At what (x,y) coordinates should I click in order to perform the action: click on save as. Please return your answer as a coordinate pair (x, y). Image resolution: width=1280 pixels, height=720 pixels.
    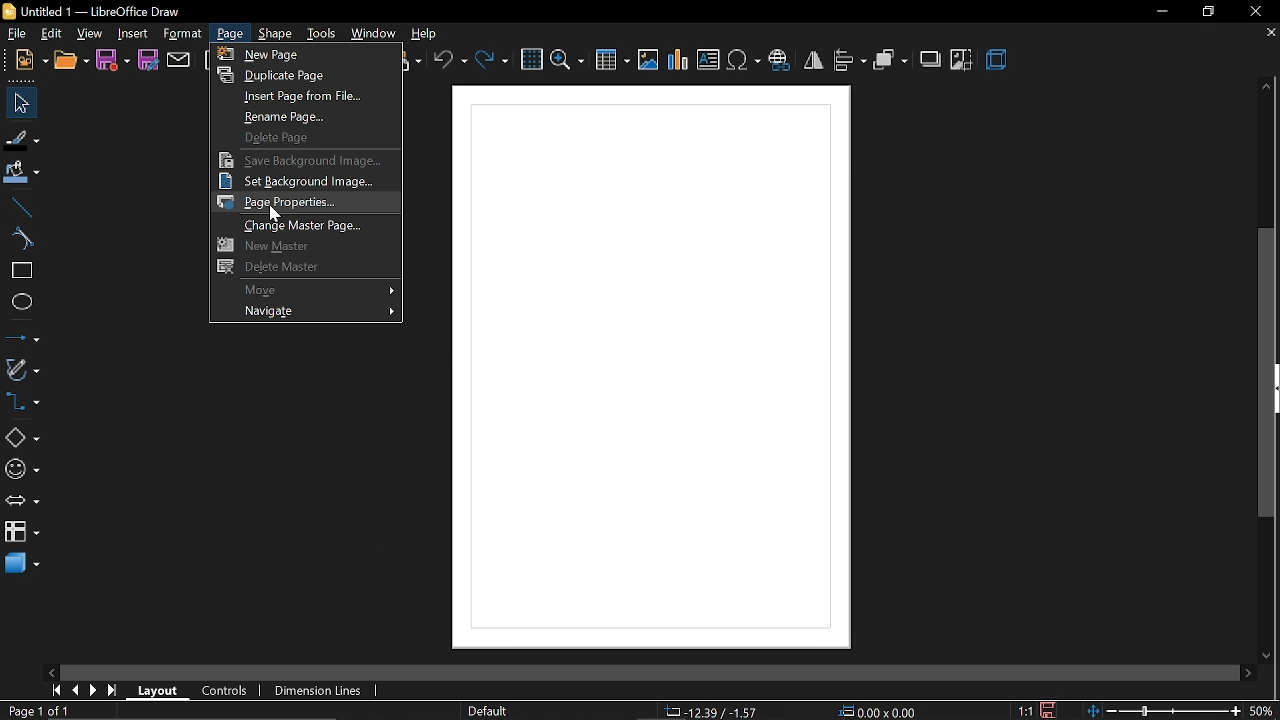
    Looking at the image, I should click on (150, 59).